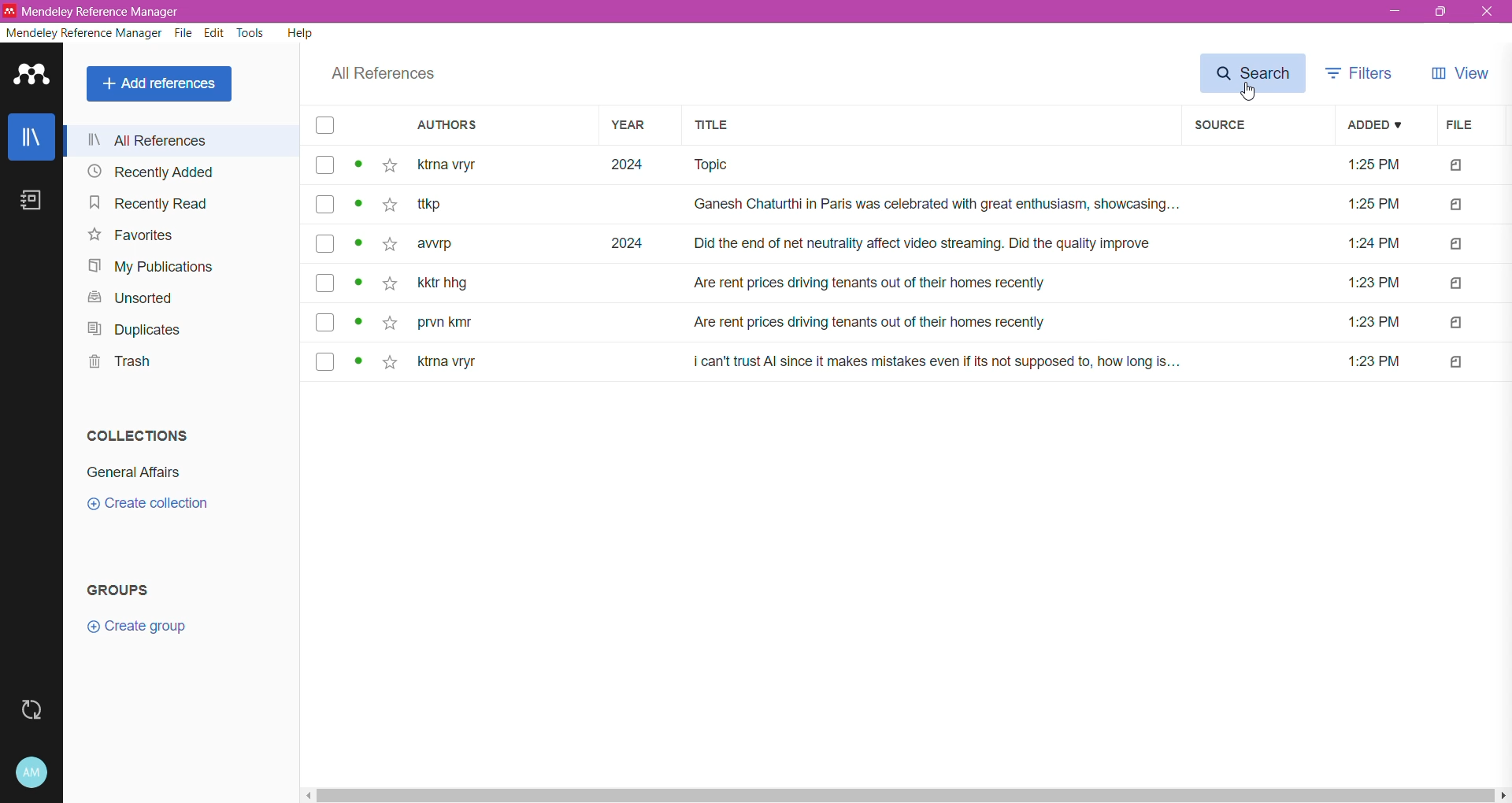  Describe the element at coordinates (322, 166) in the screenshot. I see `select file` at that location.